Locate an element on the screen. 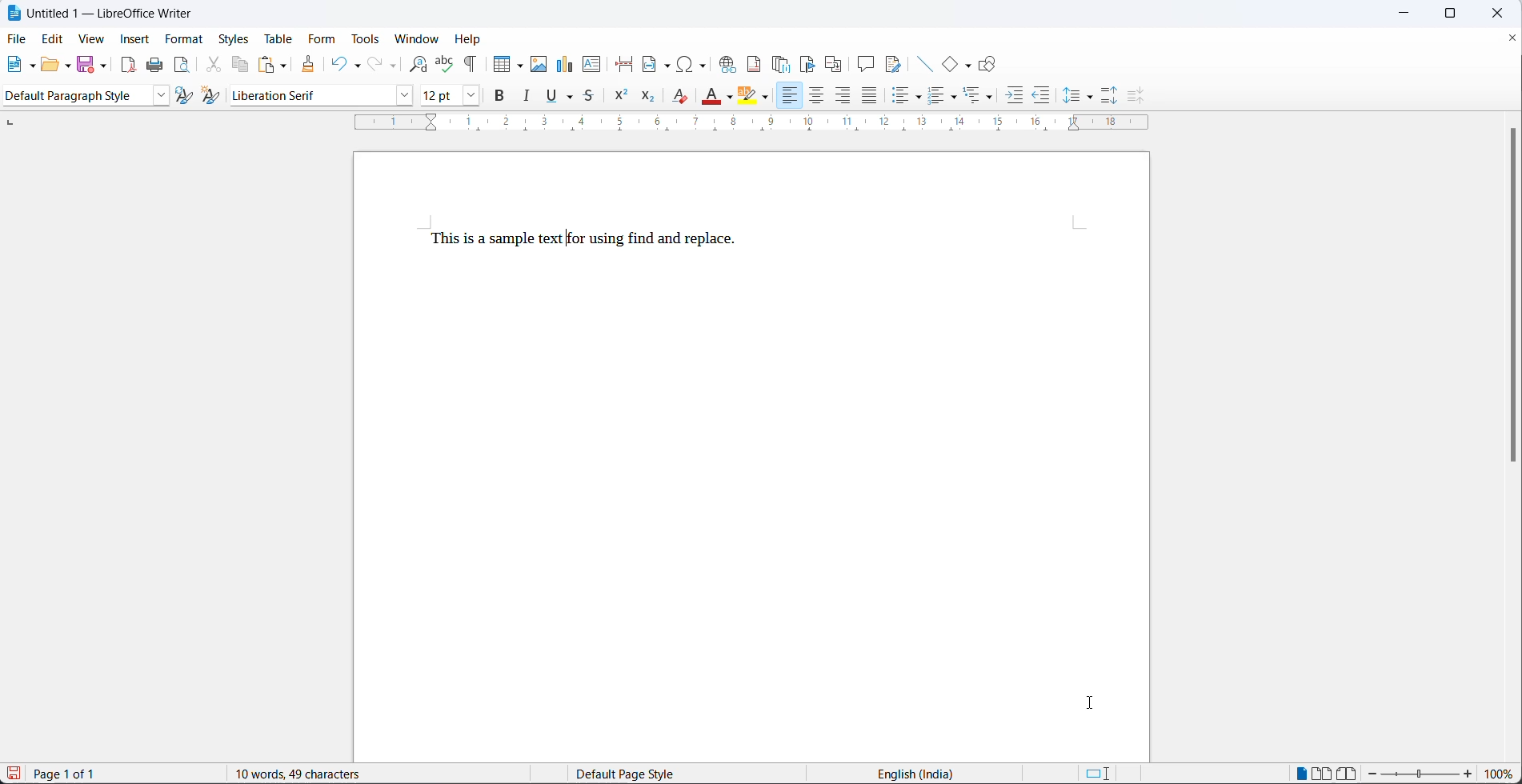 The width and height of the screenshot is (1522, 784). save options is located at coordinates (104, 65).